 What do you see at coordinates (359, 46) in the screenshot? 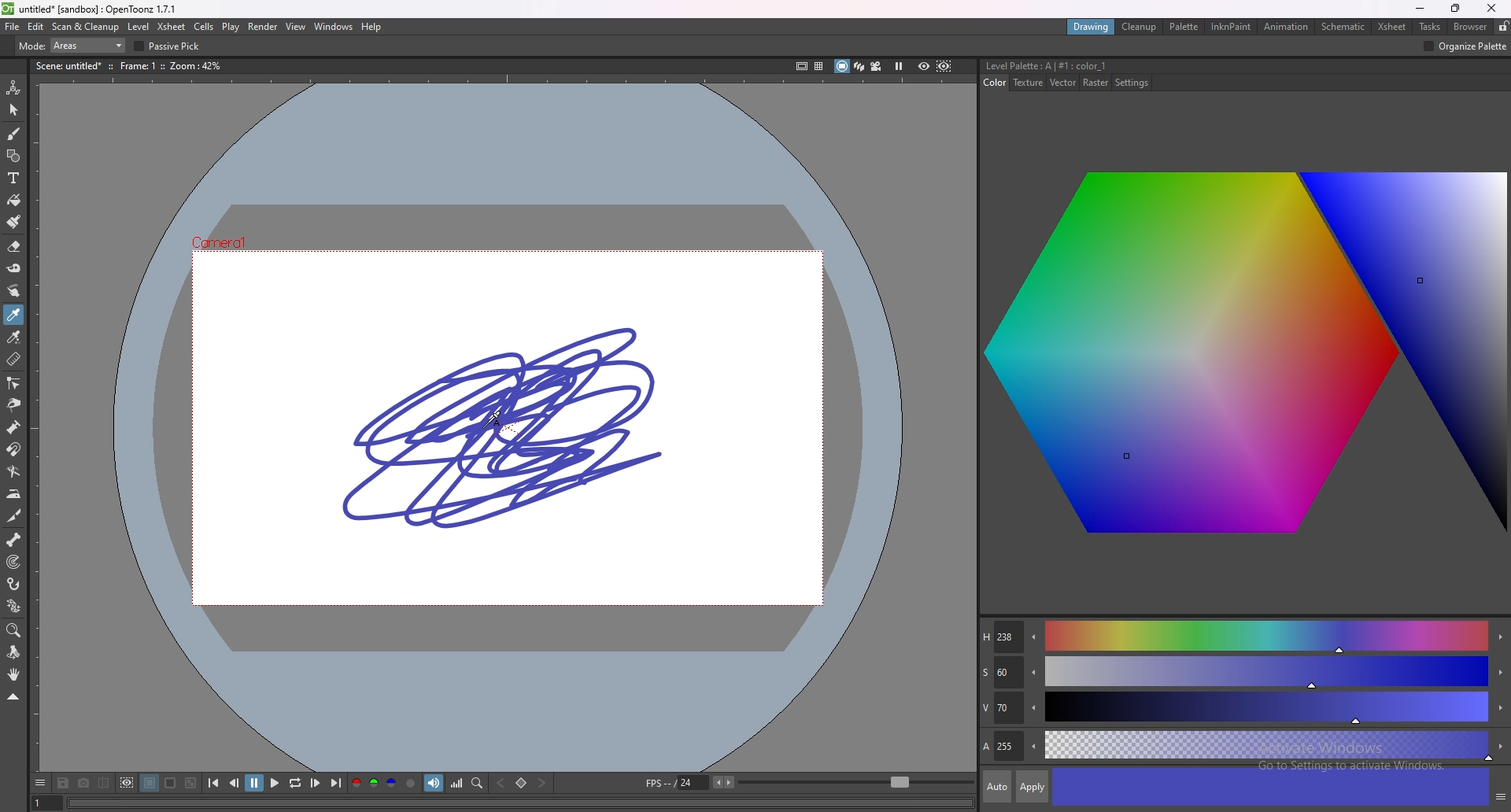
I see `include intersection` at bounding box center [359, 46].